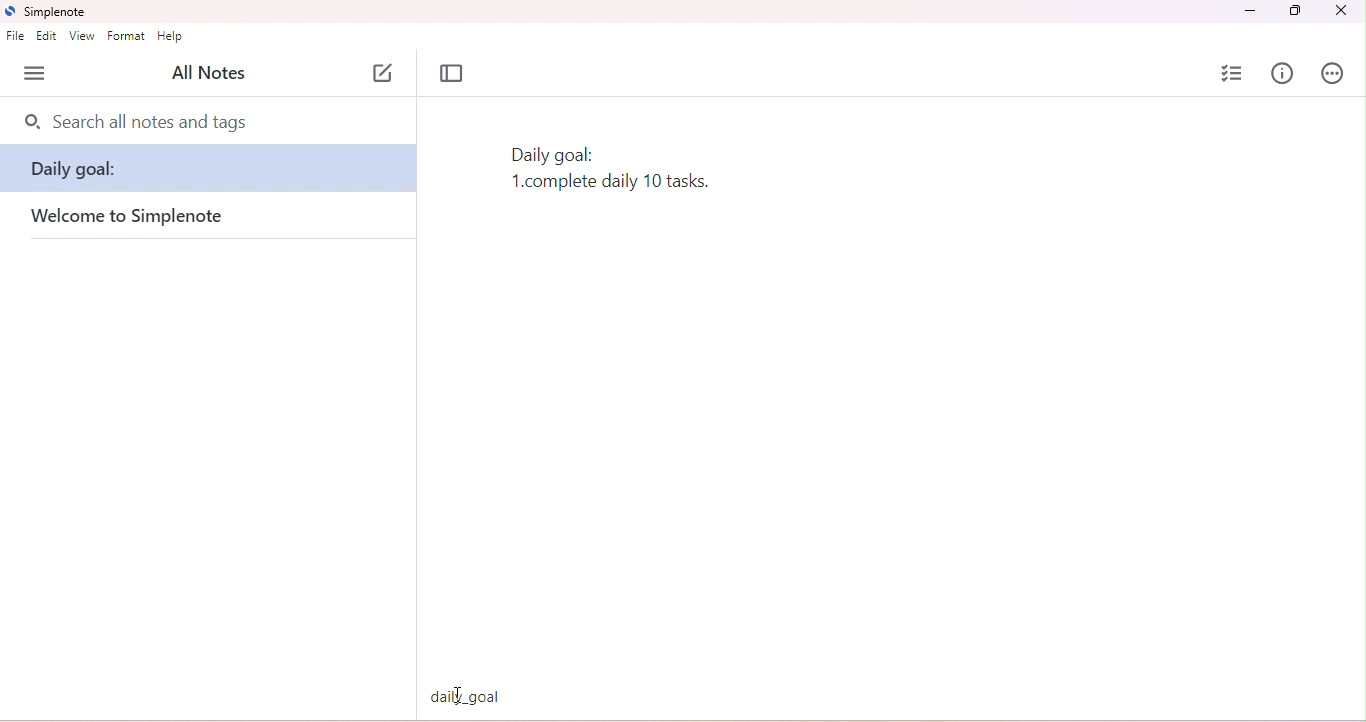  Describe the element at coordinates (1248, 12) in the screenshot. I see `minimize` at that location.